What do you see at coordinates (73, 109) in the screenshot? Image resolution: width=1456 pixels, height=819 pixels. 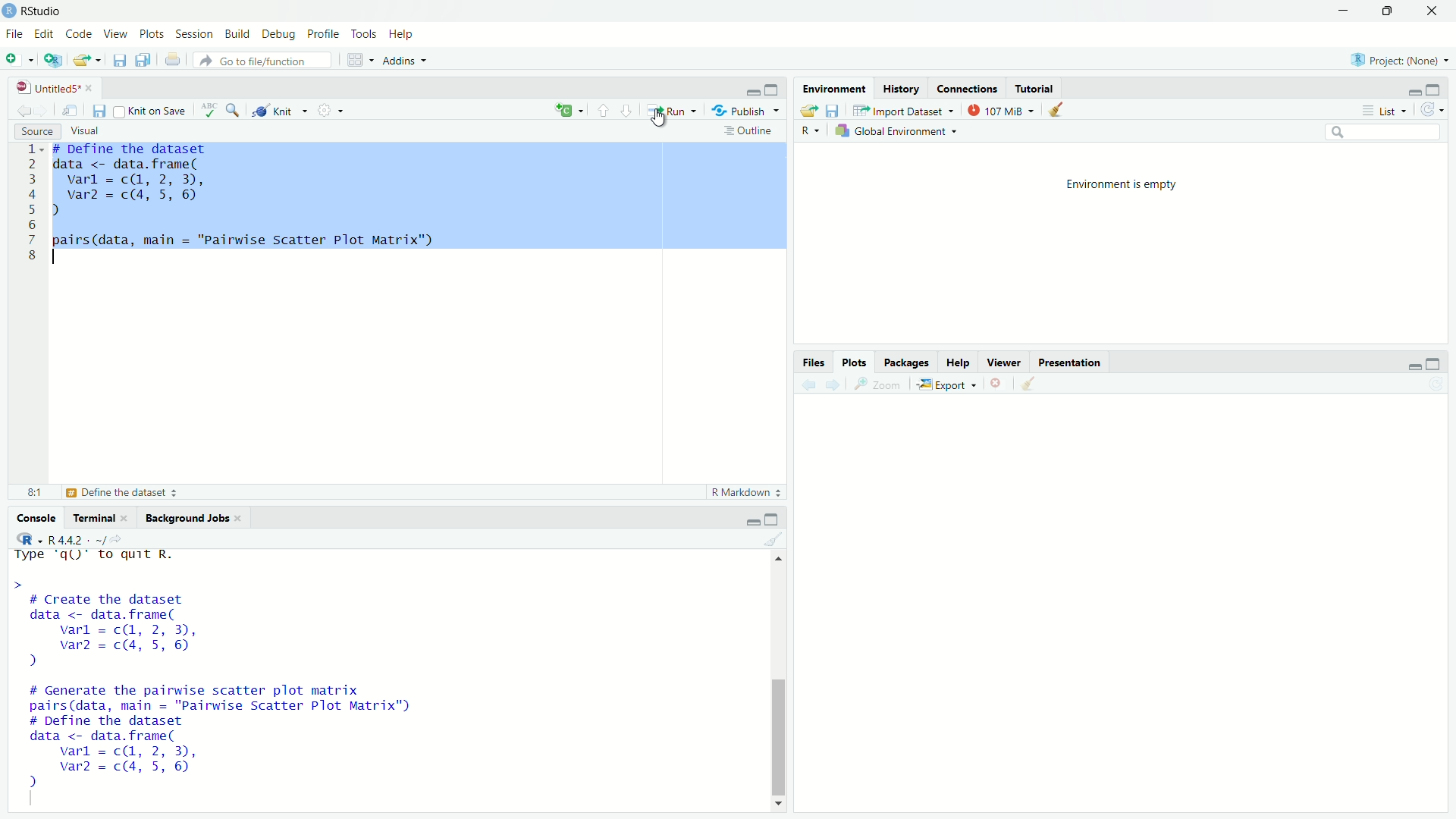 I see `Show in new window` at bounding box center [73, 109].